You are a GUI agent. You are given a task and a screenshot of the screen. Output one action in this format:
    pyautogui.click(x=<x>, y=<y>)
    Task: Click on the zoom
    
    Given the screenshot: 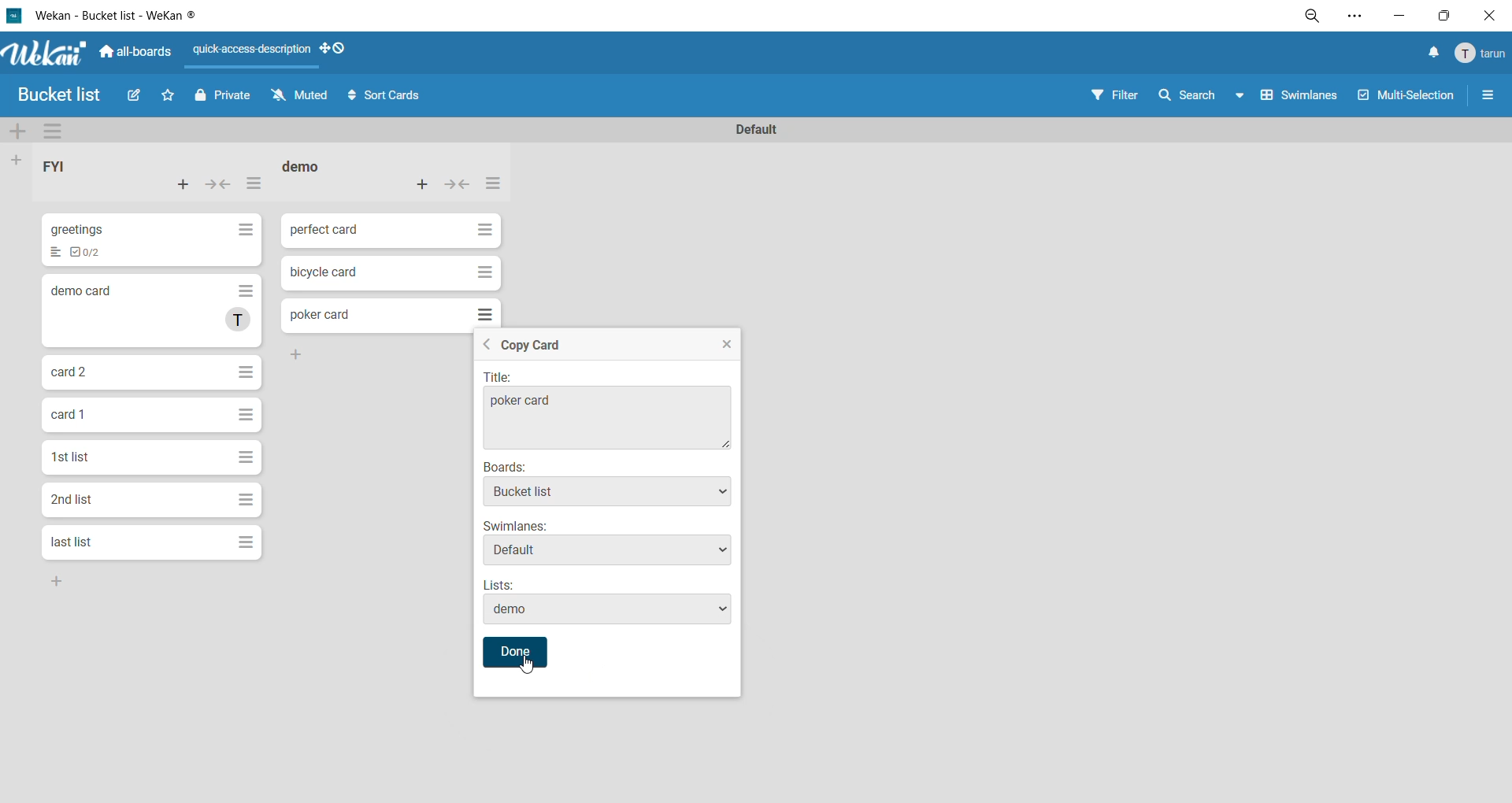 What is the action you would take?
    pyautogui.click(x=1316, y=18)
    